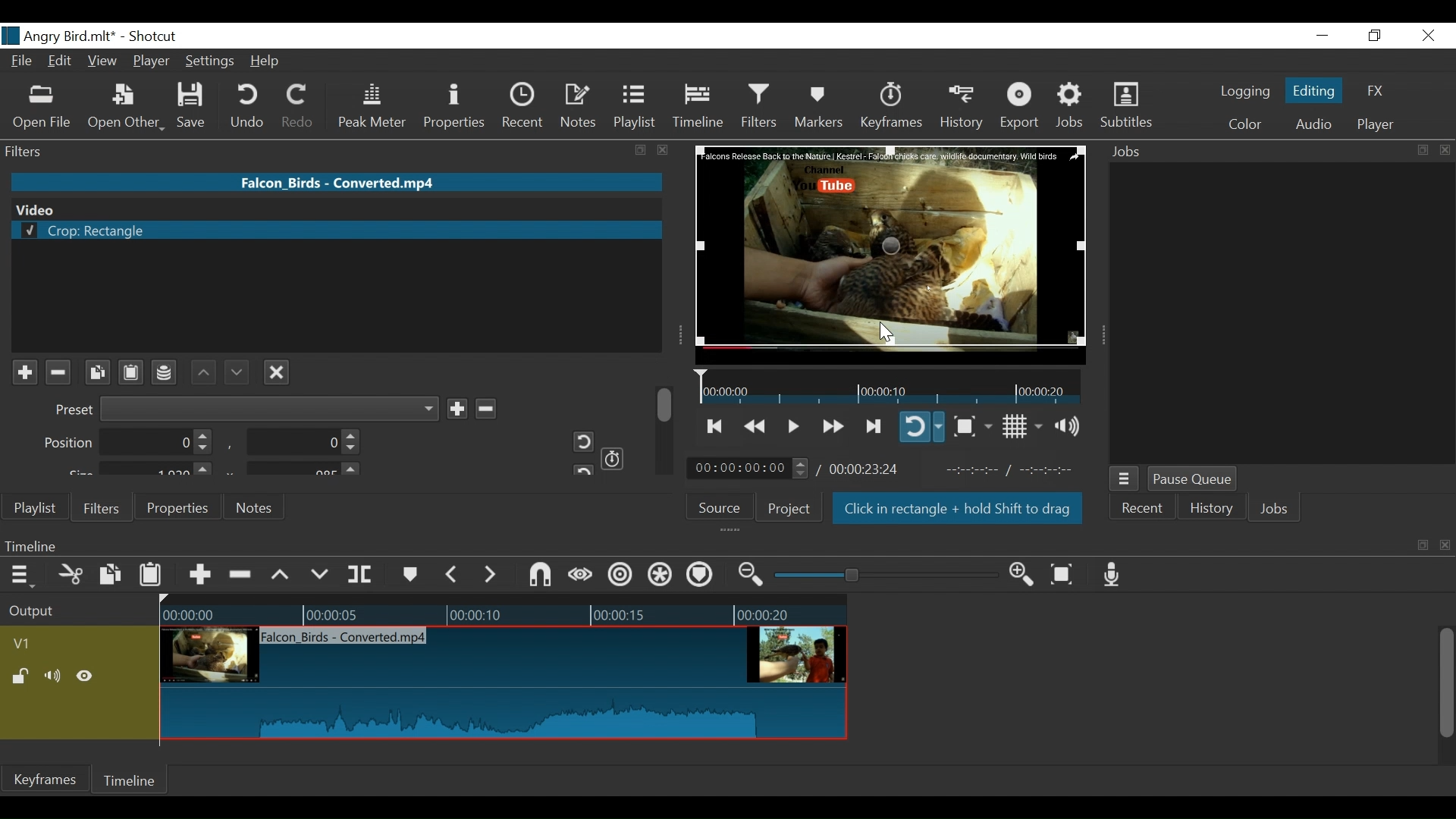  What do you see at coordinates (485, 406) in the screenshot?
I see `Minus` at bounding box center [485, 406].